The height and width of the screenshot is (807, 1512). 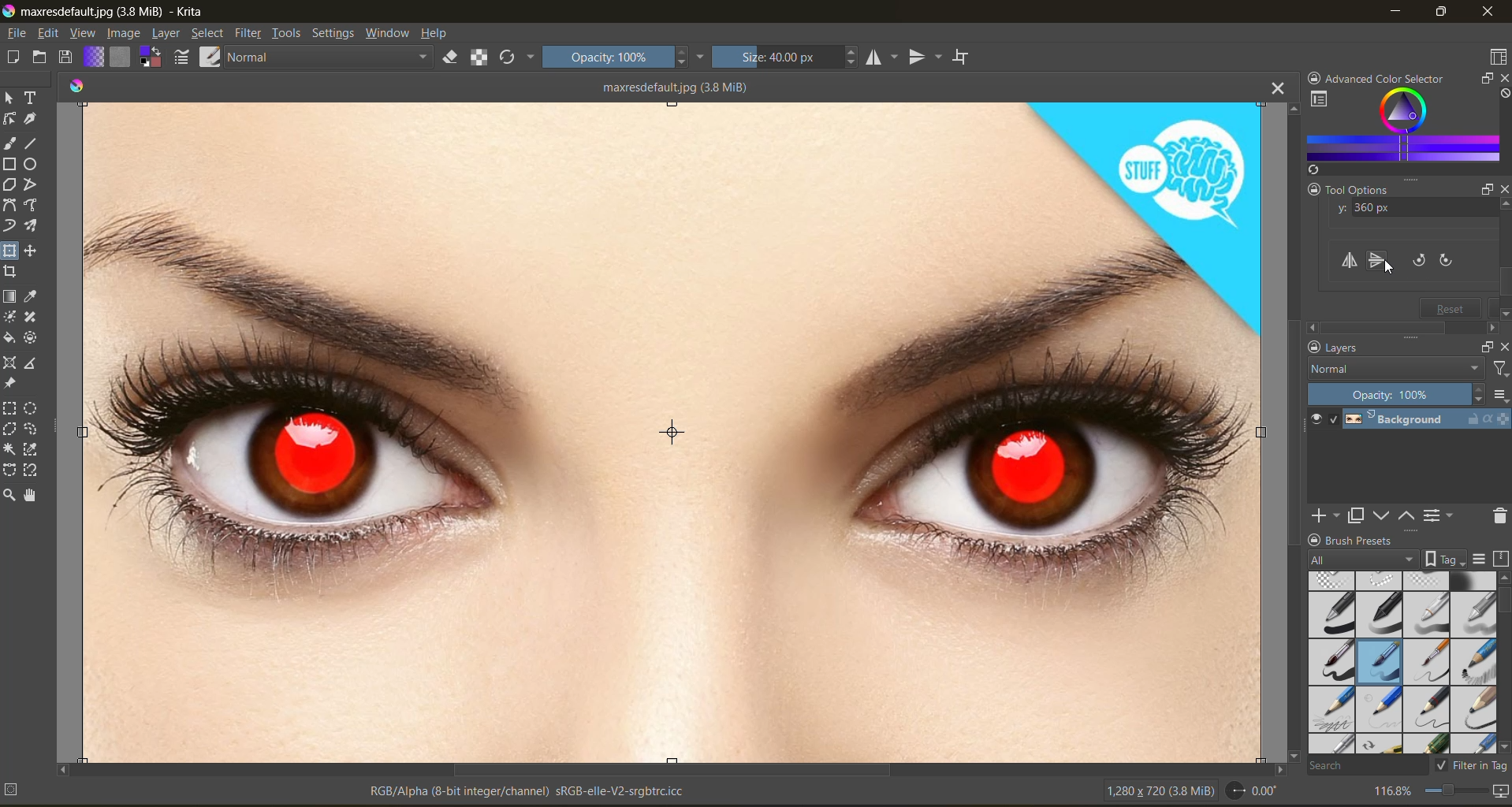 What do you see at coordinates (1313, 190) in the screenshot?
I see `lock docker` at bounding box center [1313, 190].